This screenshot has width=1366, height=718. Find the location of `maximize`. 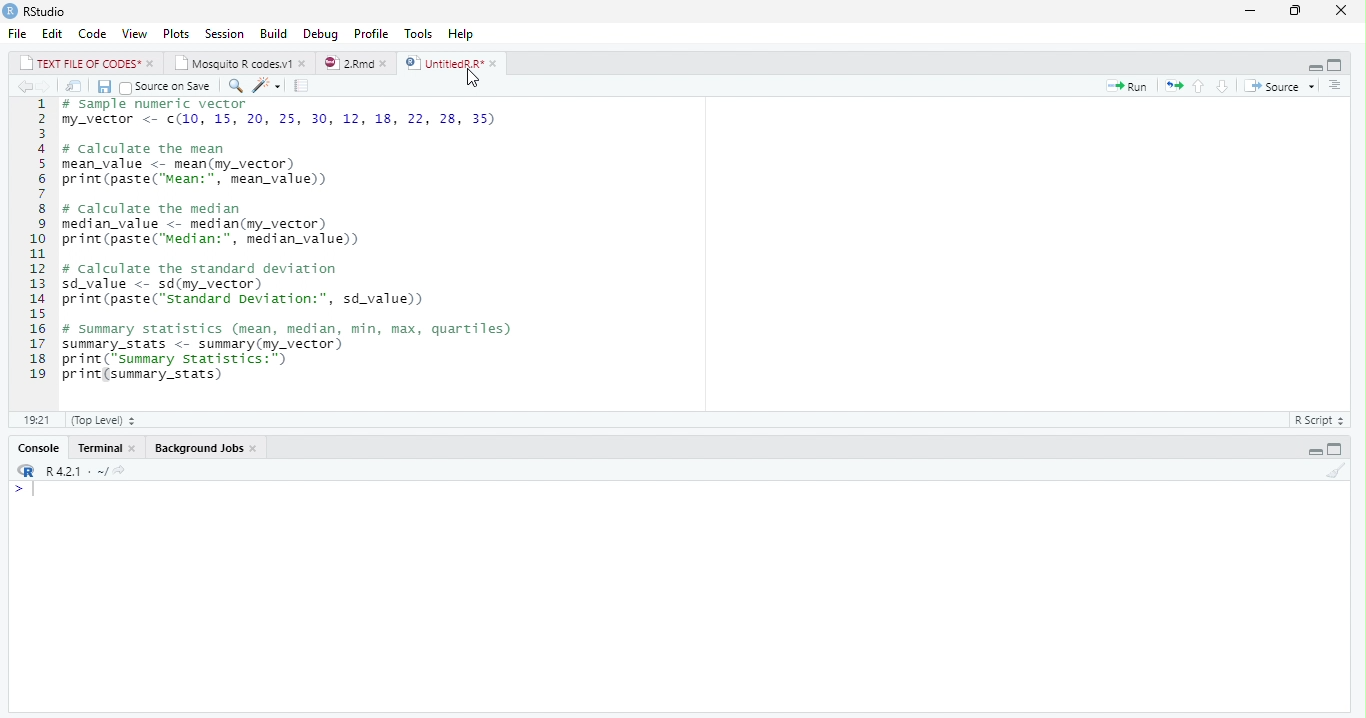

maximize is located at coordinates (1298, 12).